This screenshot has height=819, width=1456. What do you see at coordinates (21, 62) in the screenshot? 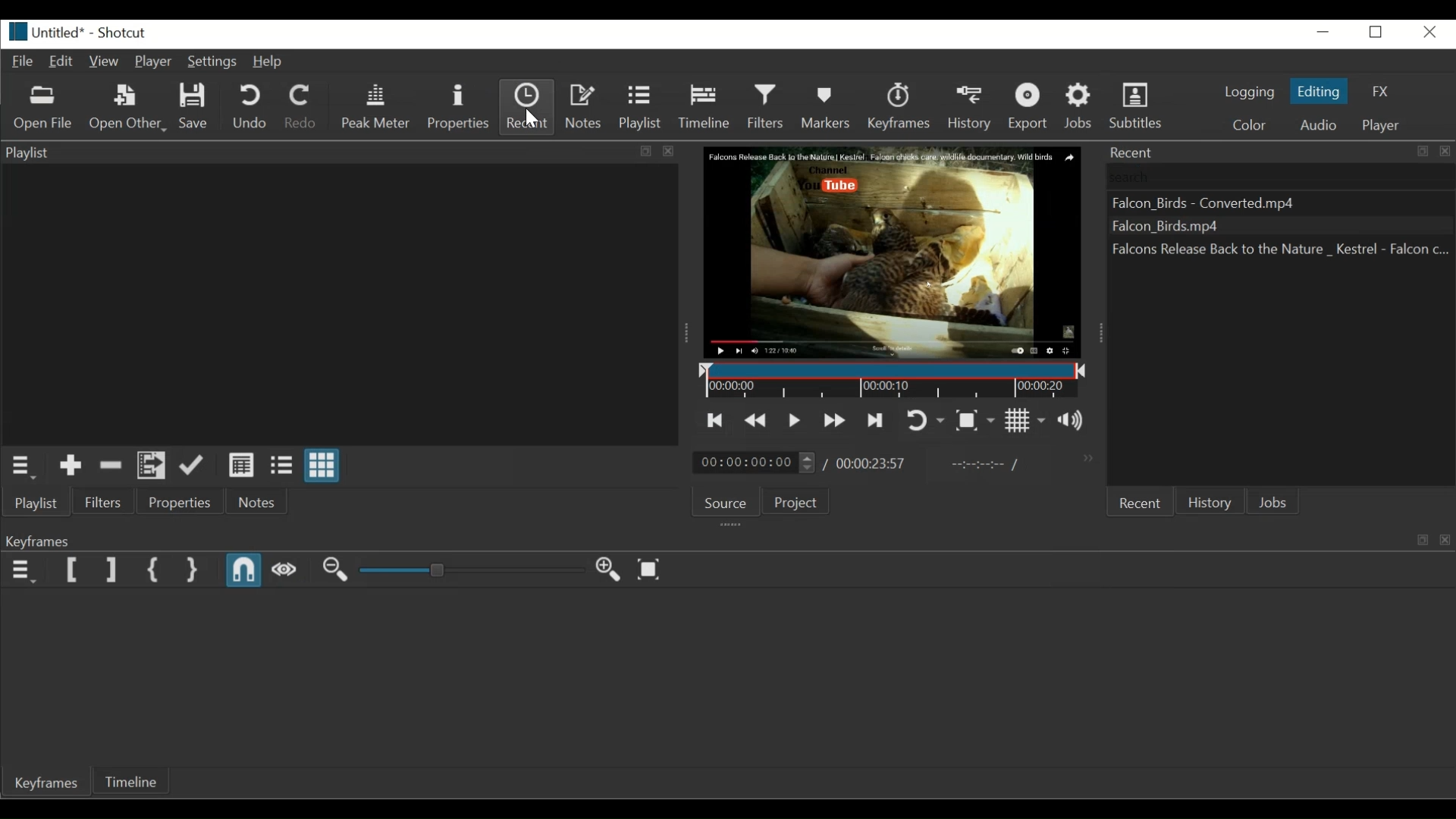
I see `File` at bounding box center [21, 62].